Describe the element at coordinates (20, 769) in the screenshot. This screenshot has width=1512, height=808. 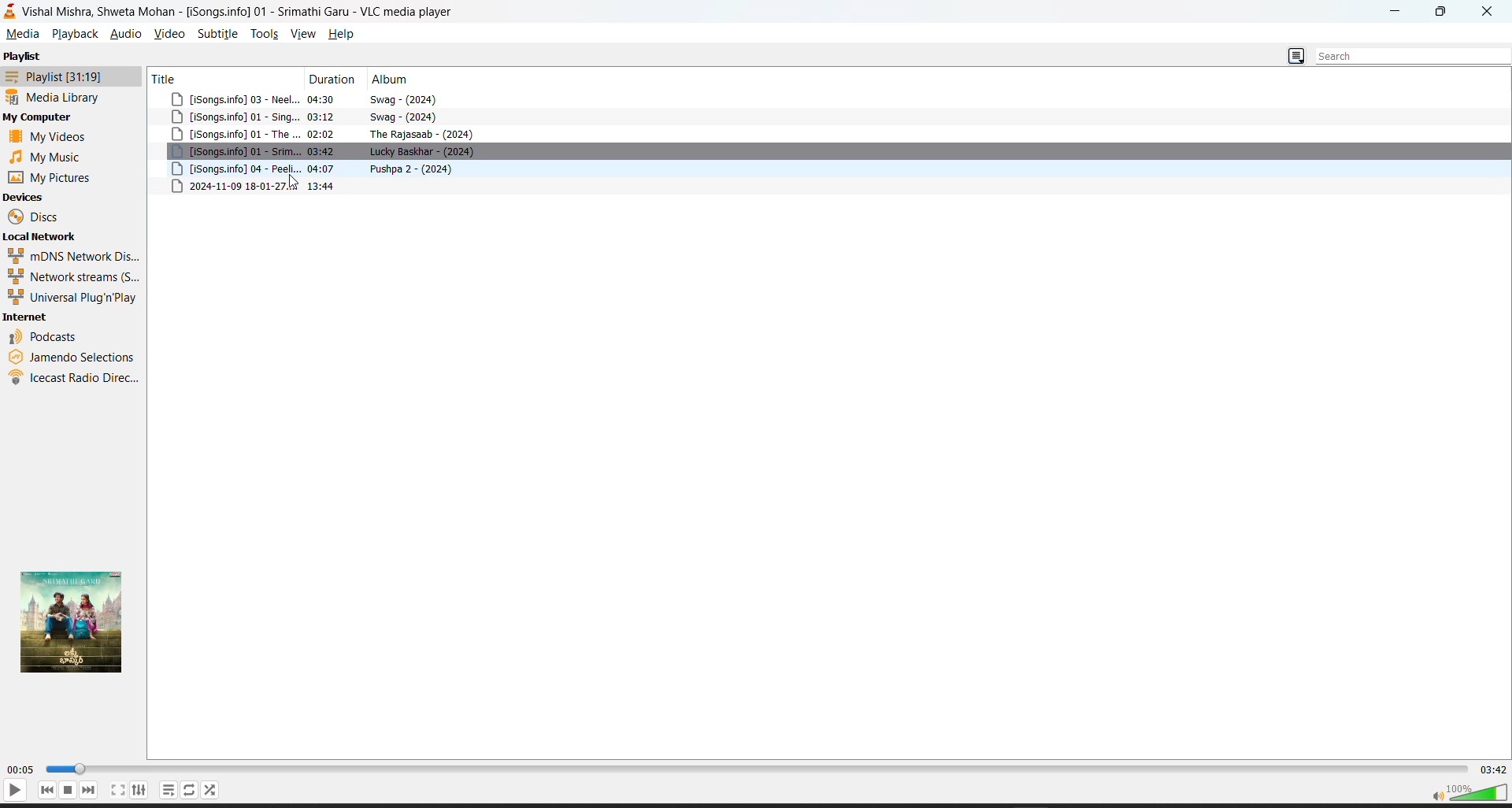
I see `current track time` at that location.